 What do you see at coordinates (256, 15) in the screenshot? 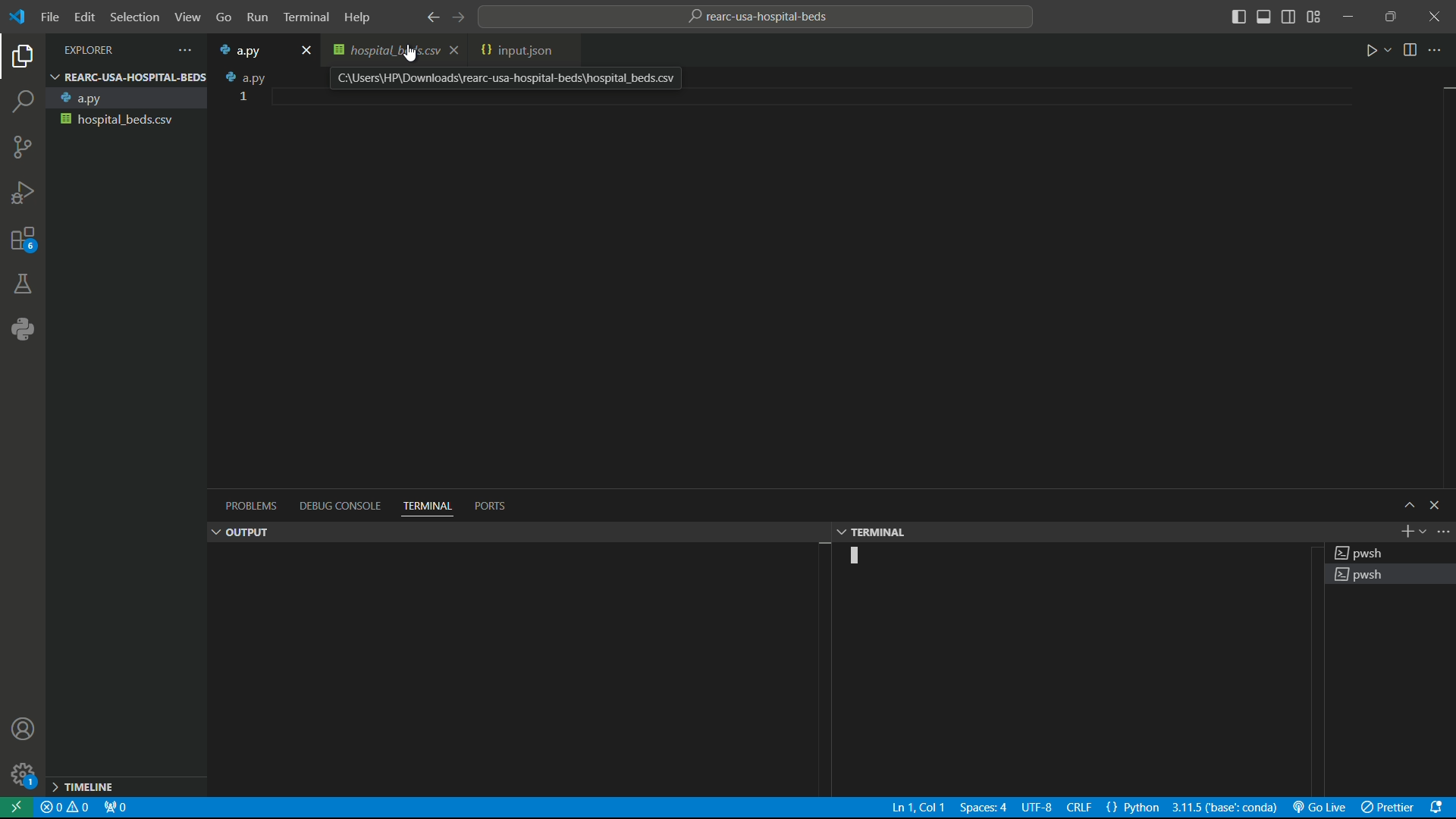
I see `run menu` at bounding box center [256, 15].